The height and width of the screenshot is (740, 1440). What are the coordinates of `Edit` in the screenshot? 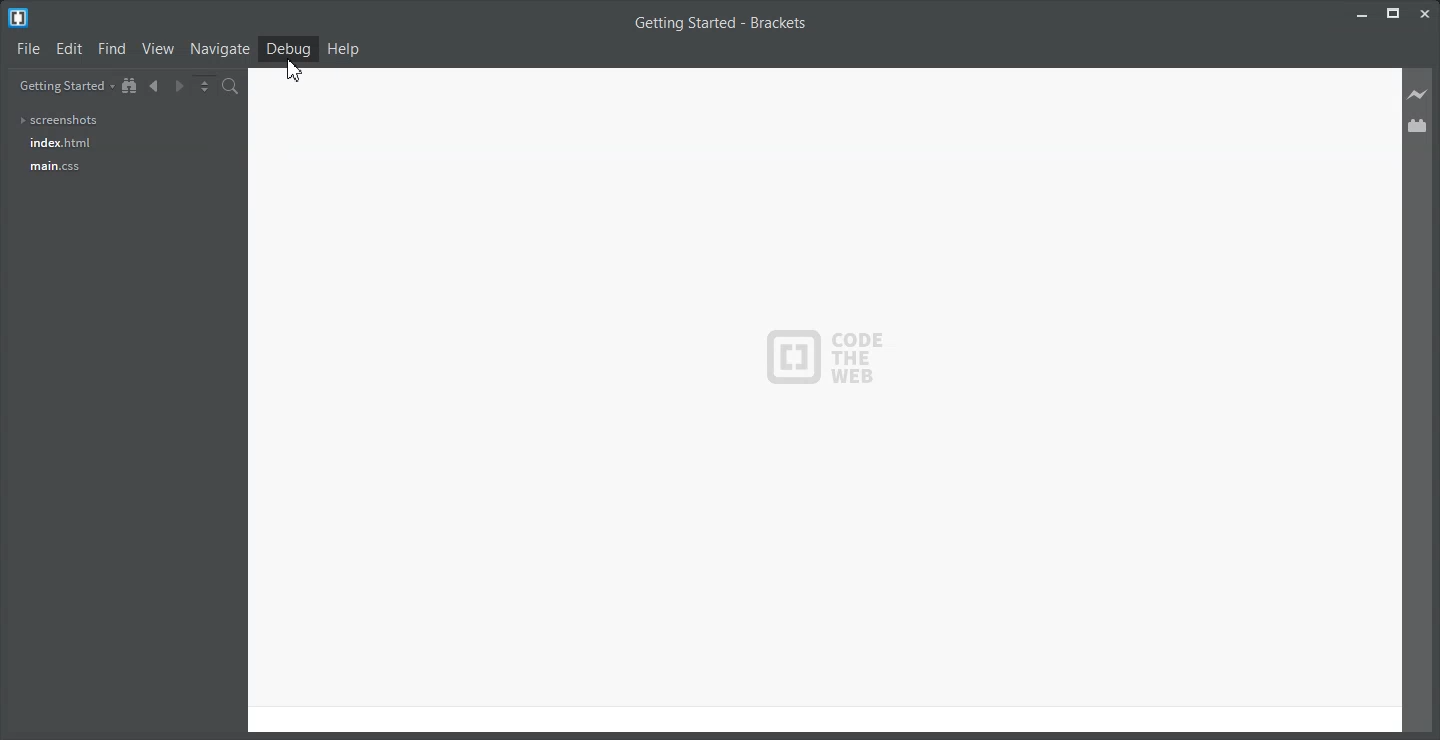 It's located at (69, 49).